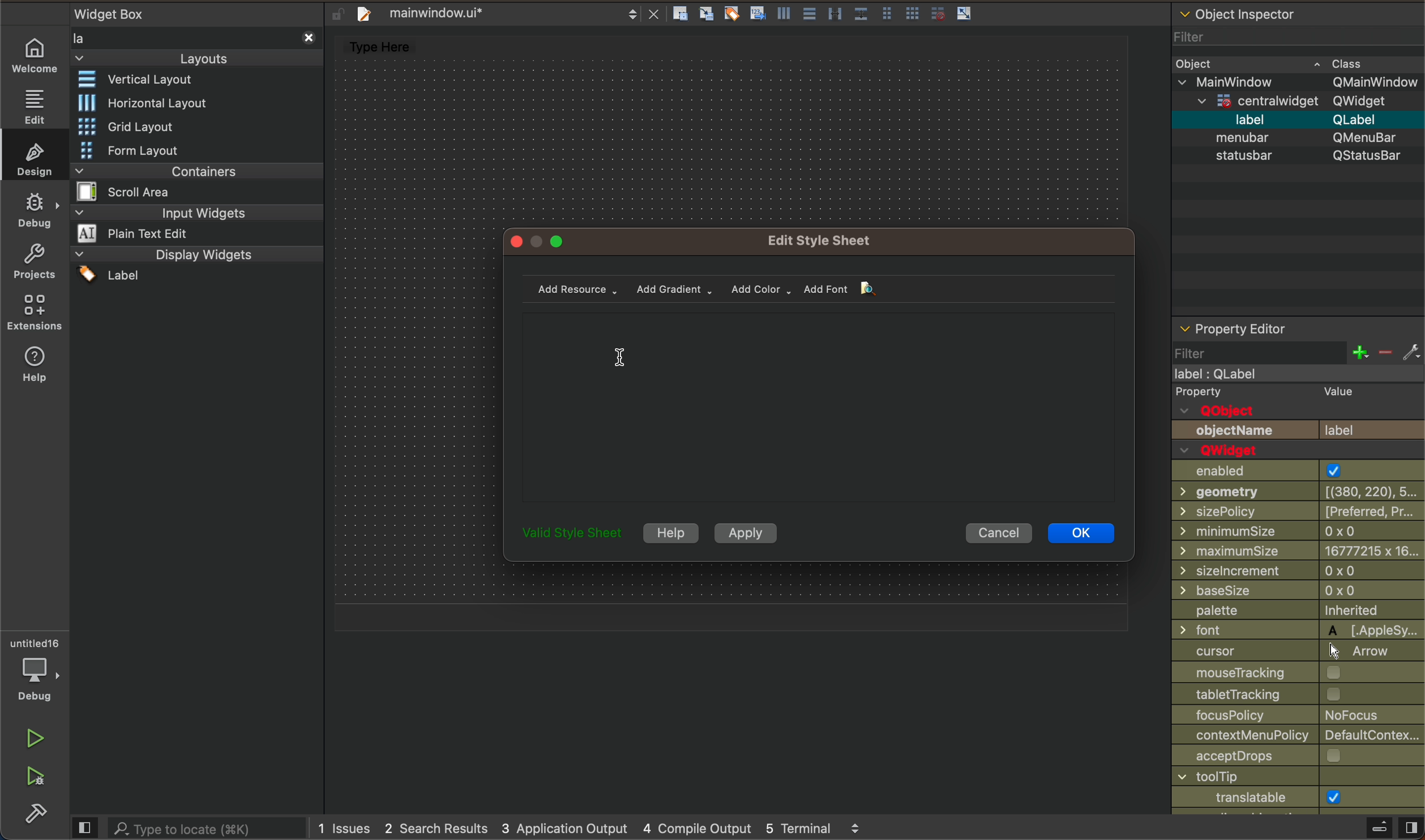  What do you see at coordinates (1298, 28) in the screenshot?
I see `object inspector` at bounding box center [1298, 28].